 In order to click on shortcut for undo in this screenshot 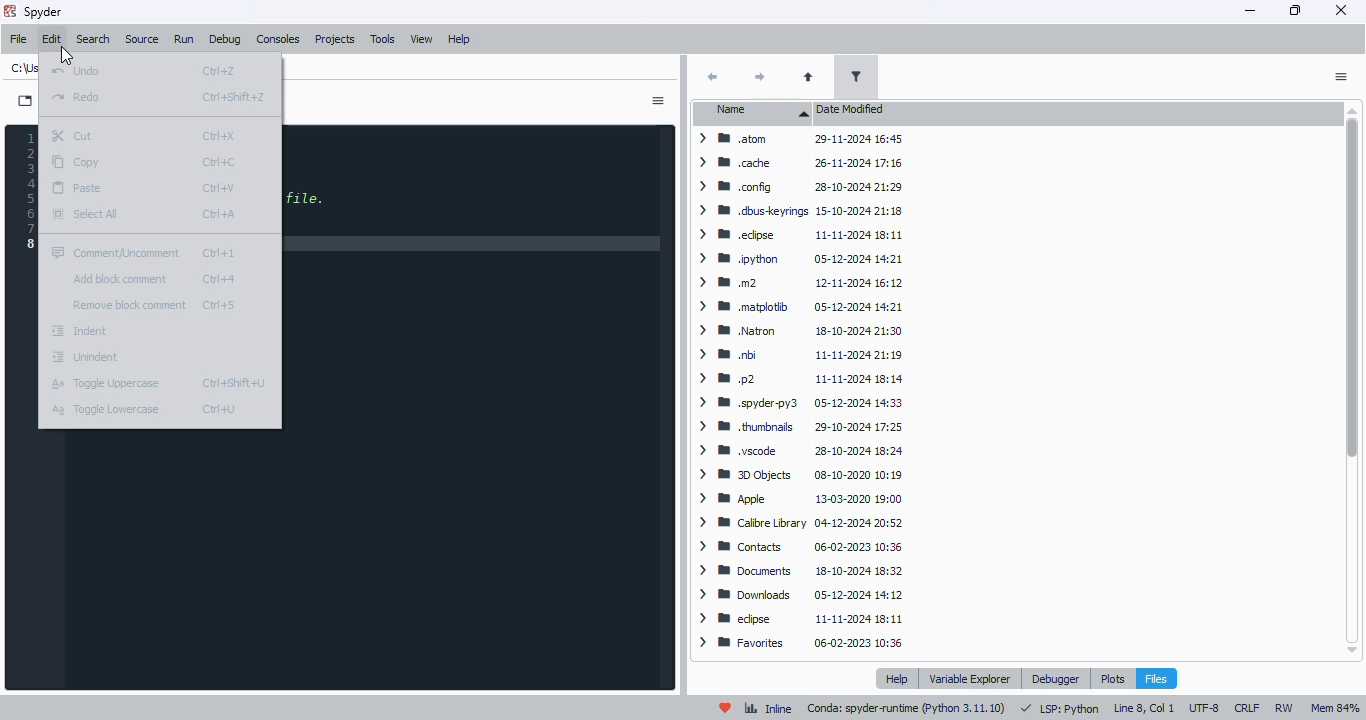, I will do `click(219, 72)`.